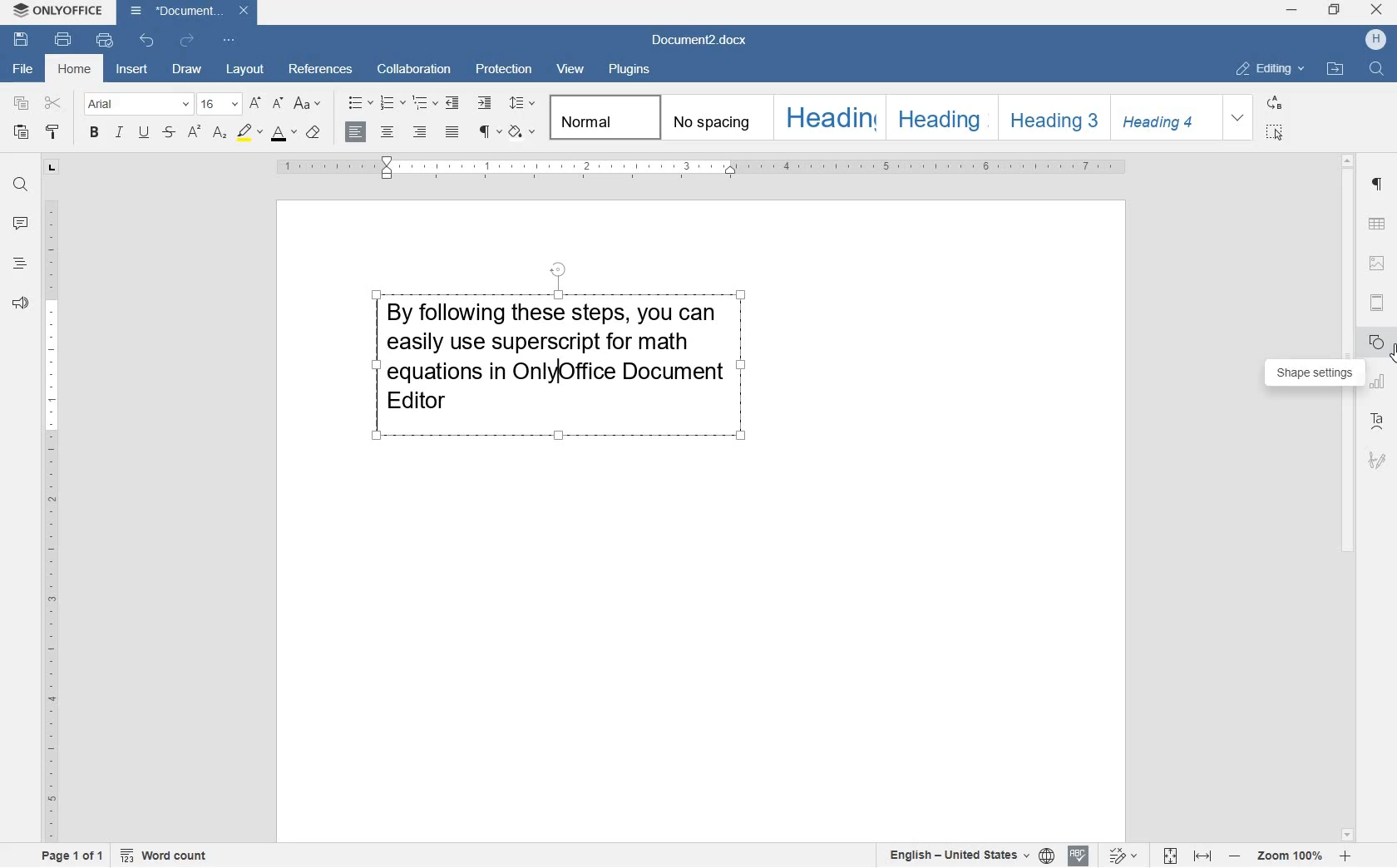  Describe the element at coordinates (52, 103) in the screenshot. I see `cut` at that location.